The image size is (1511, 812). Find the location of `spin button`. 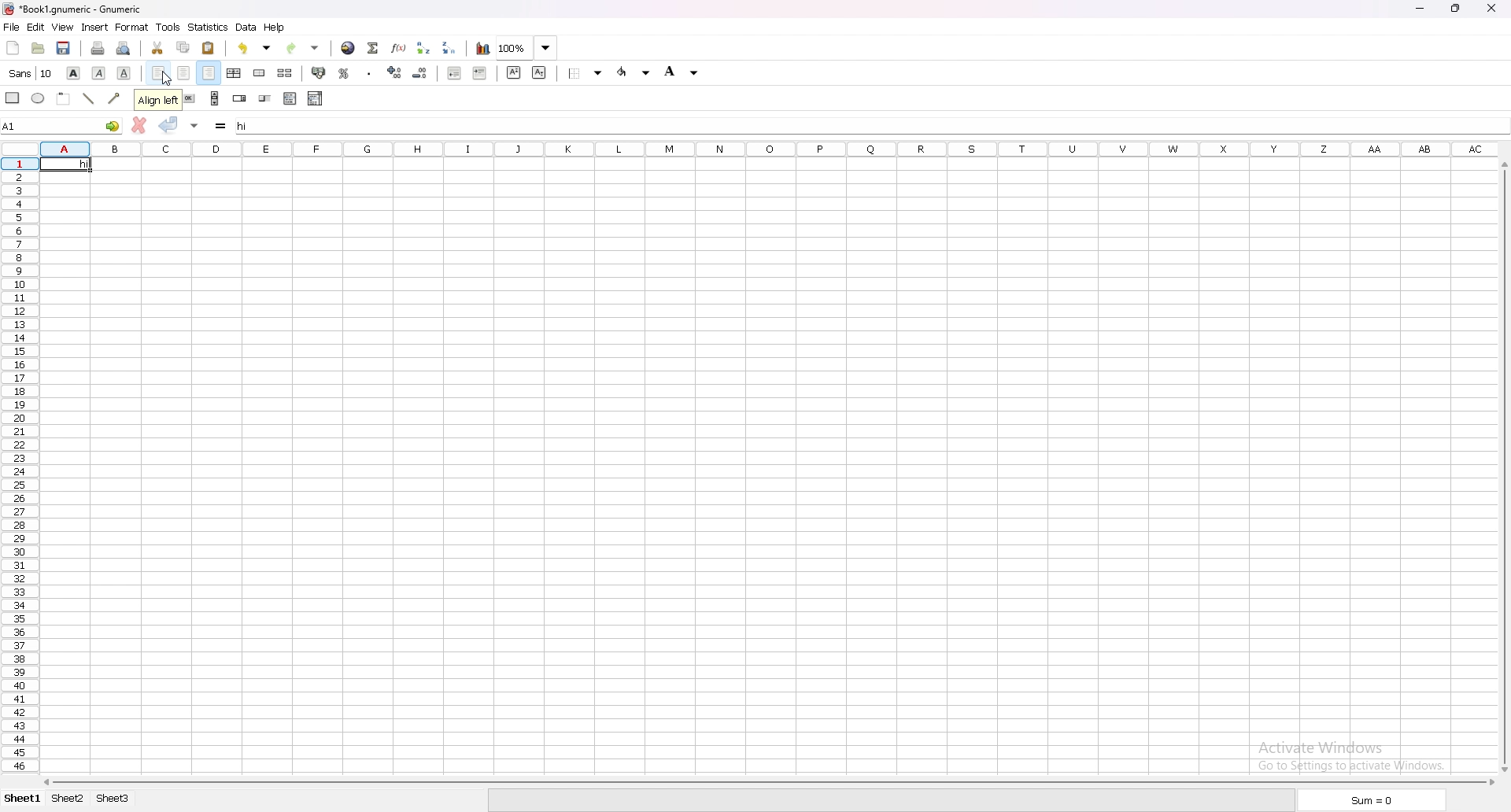

spin button is located at coordinates (240, 98).